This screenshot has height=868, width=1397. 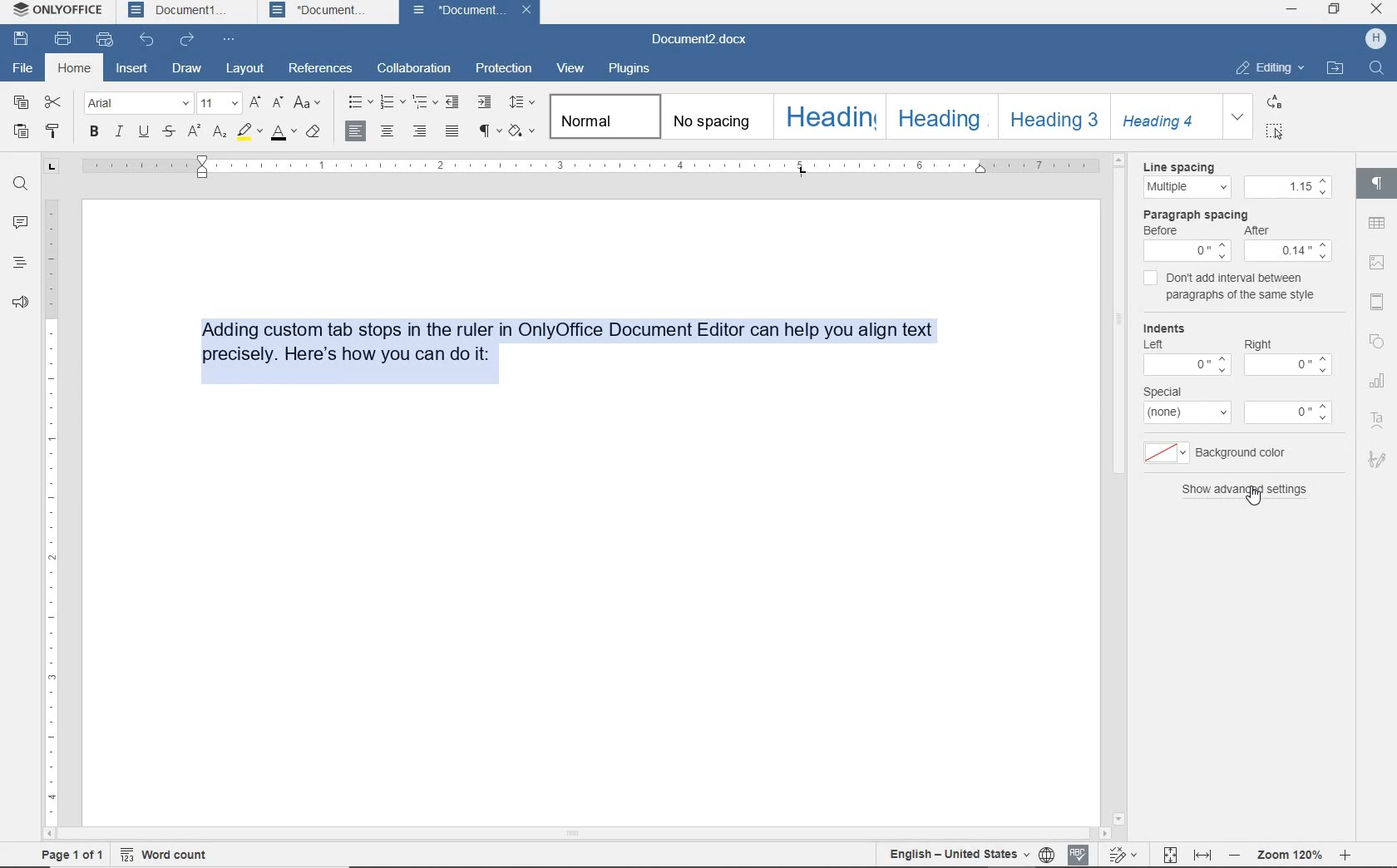 What do you see at coordinates (1054, 118) in the screenshot?
I see `heading 3` at bounding box center [1054, 118].